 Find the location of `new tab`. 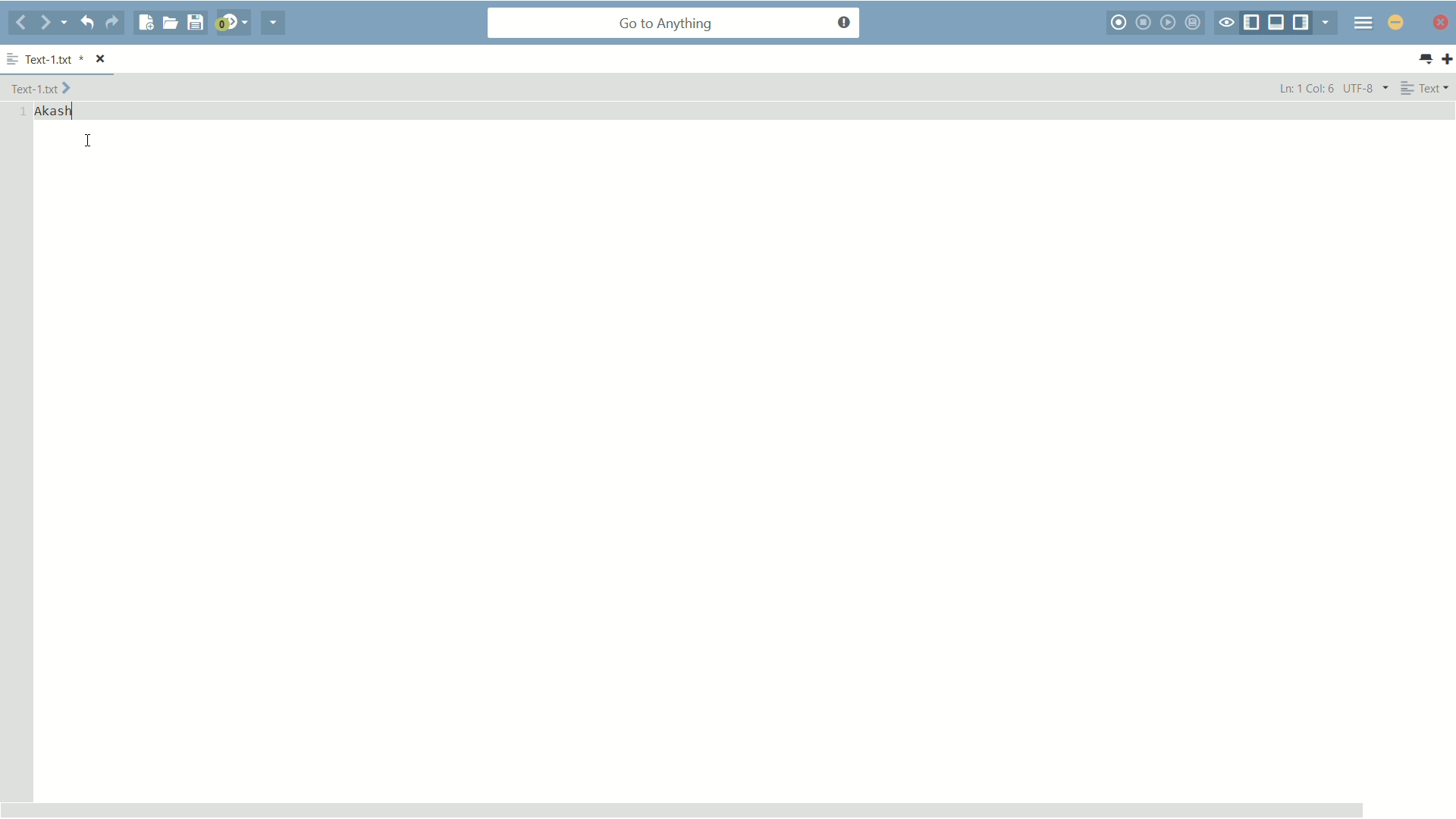

new tab is located at coordinates (1447, 59).